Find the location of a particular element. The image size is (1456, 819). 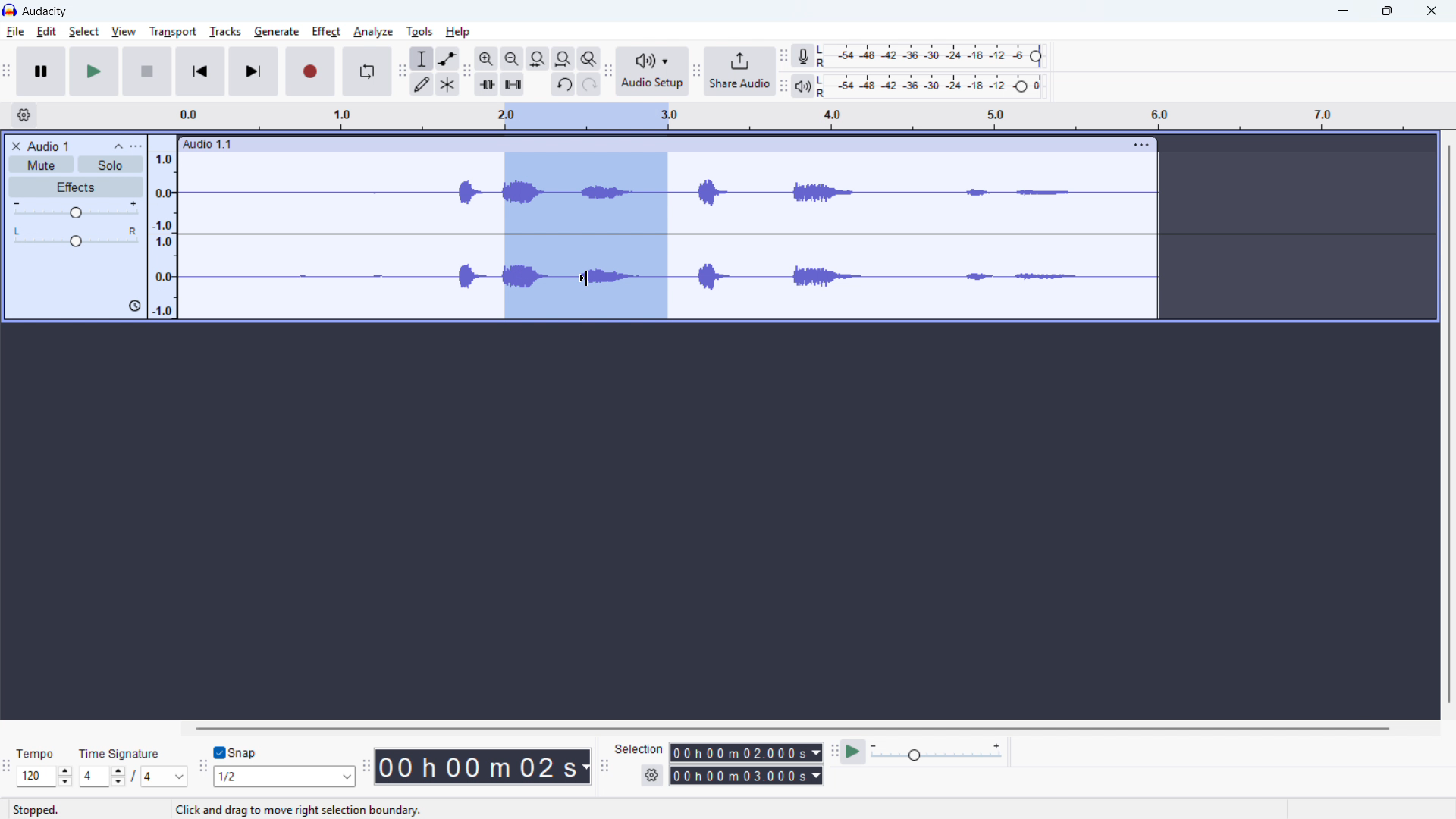

Cursor is located at coordinates (585, 279).